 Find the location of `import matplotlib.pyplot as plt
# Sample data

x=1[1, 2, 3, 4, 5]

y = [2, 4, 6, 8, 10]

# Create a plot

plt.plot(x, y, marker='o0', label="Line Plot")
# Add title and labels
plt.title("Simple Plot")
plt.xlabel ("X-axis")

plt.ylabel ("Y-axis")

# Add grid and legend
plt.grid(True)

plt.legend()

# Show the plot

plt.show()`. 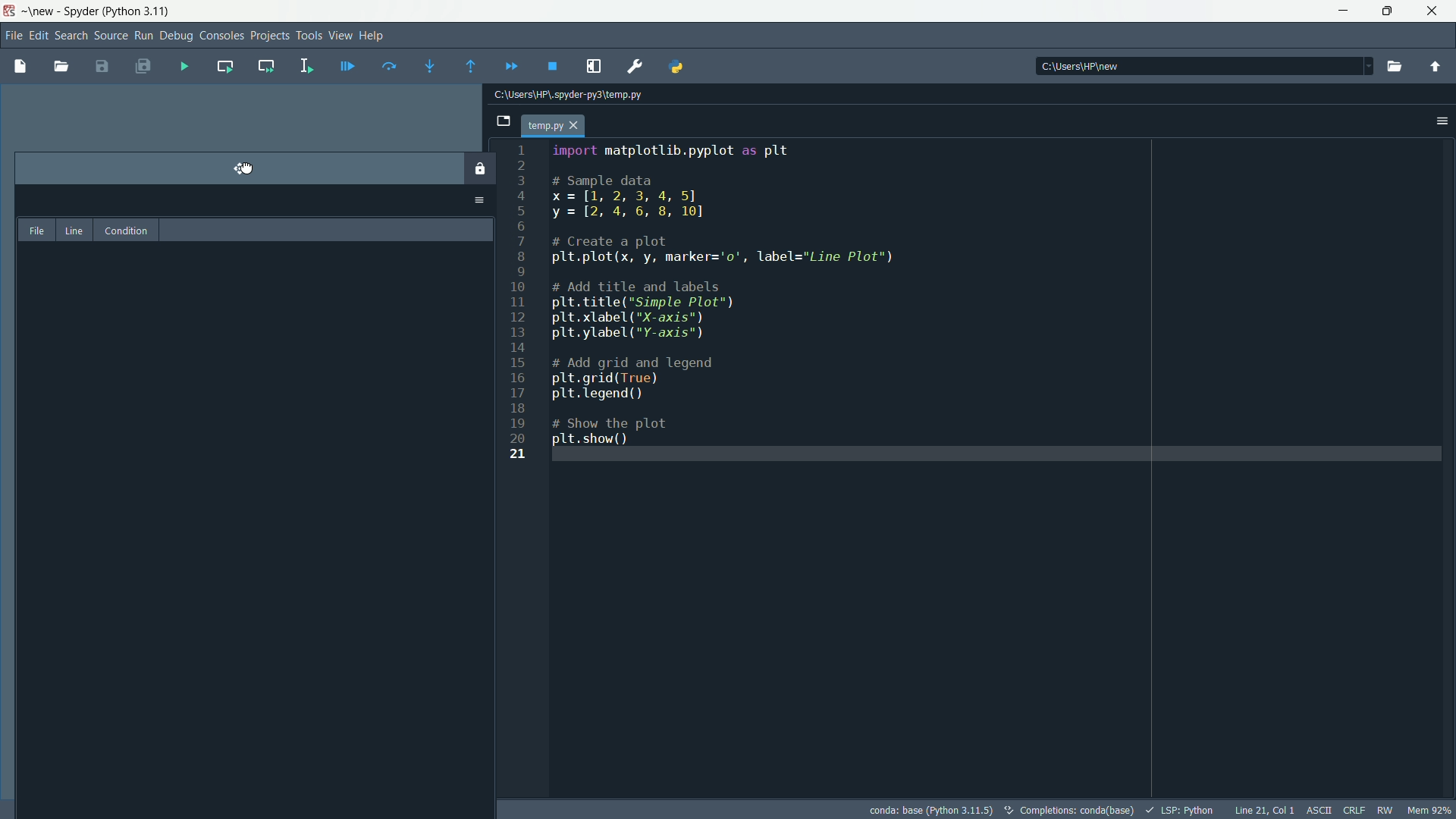

import matplotlib.pyplot as plt
# Sample data

x=1[1, 2, 3, 4, 5]

y = [2, 4, 6, 8, 10]

# Create a plot

plt.plot(x, y, marker='o0', label="Line Plot")
# Add title and labels
plt.title("Simple Plot")
plt.xlabel ("X-axis")

plt.ylabel ("Y-axis")

# Add grid and legend
plt.grid(True)

plt.legend()

# Show the plot

plt.show() is located at coordinates (739, 294).